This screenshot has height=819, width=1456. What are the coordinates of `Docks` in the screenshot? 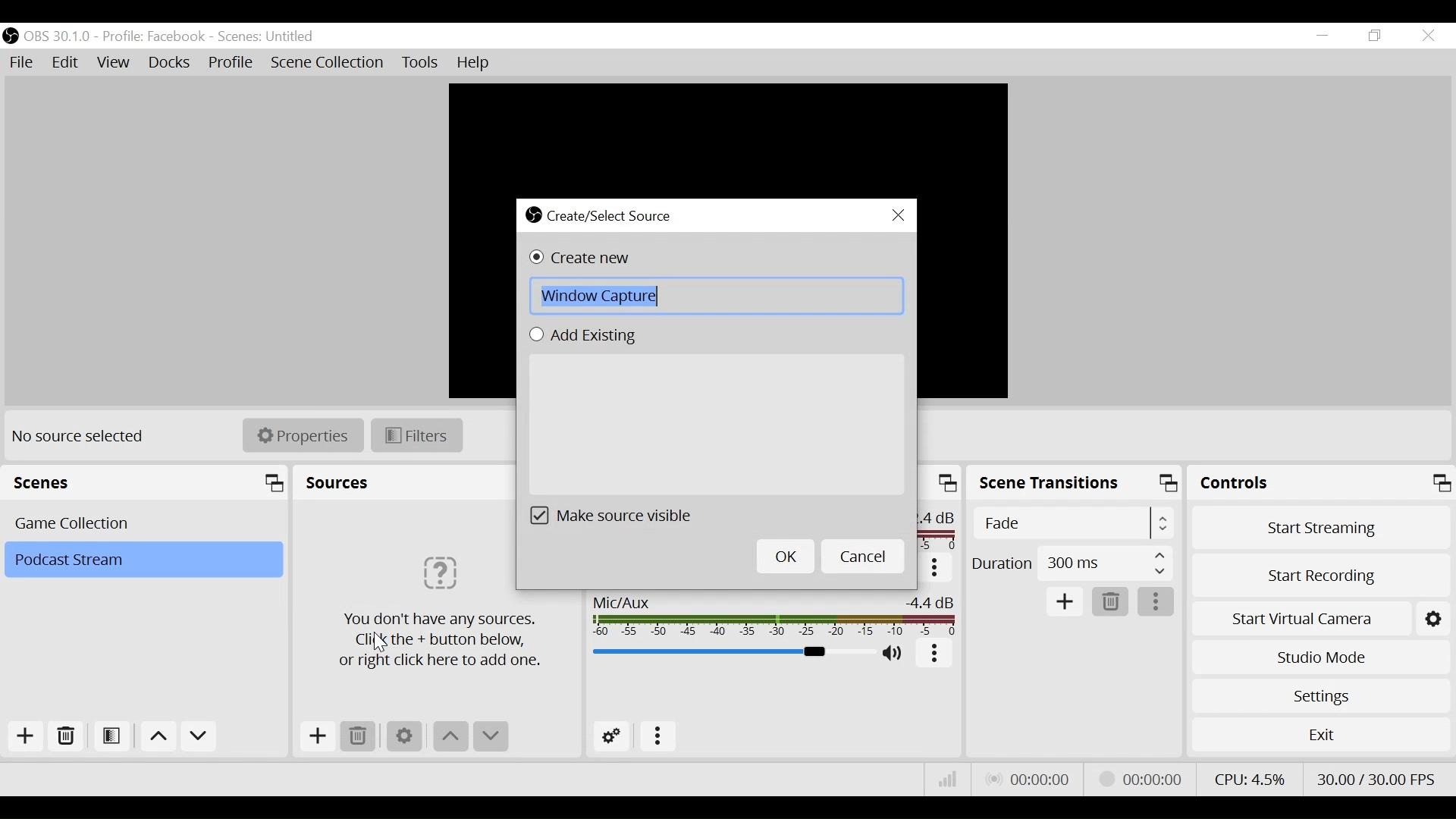 It's located at (169, 63).